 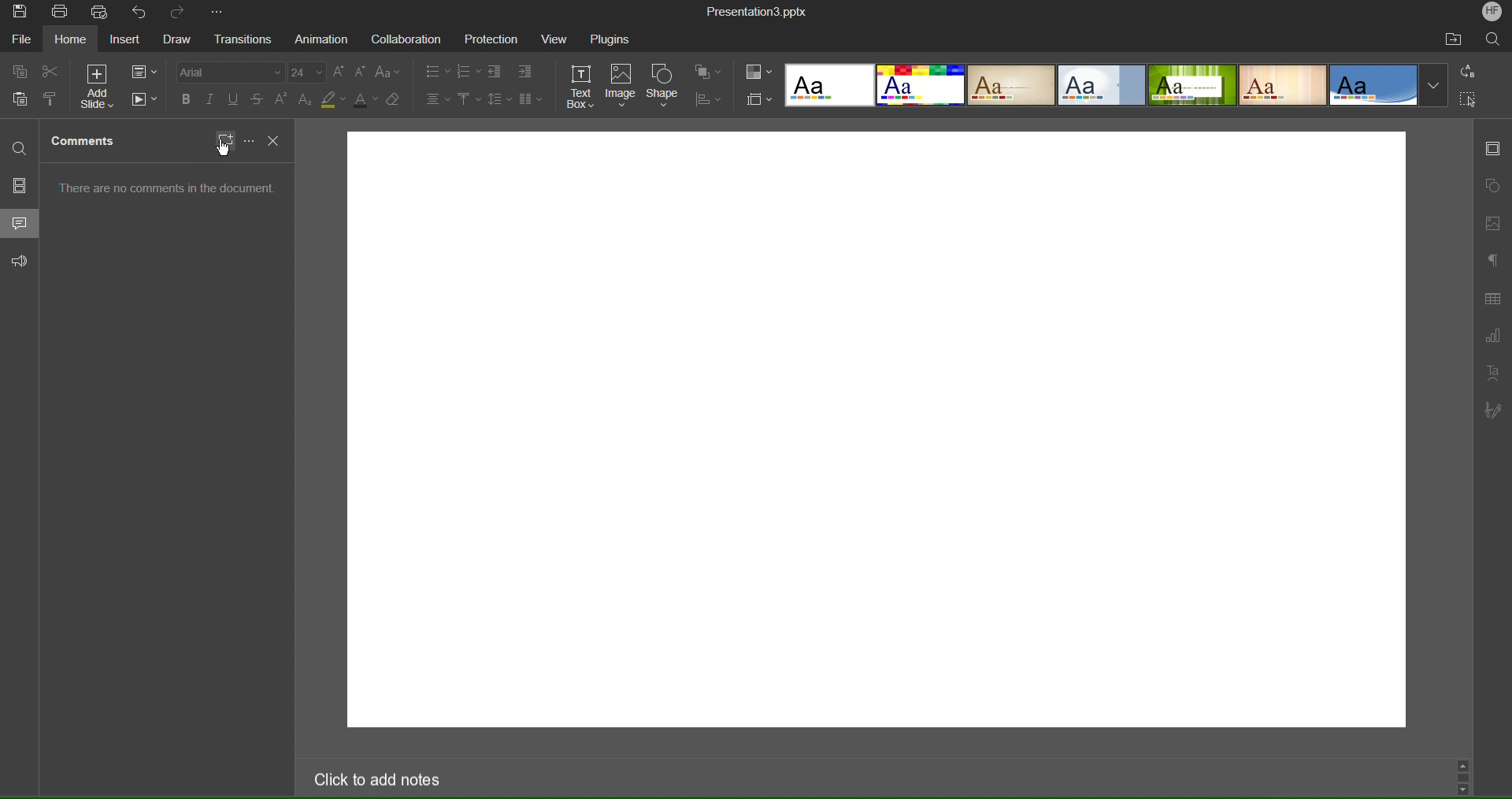 What do you see at coordinates (1492, 412) in the screenshot?
I see `Signature` at bounding box center [1492, 412].